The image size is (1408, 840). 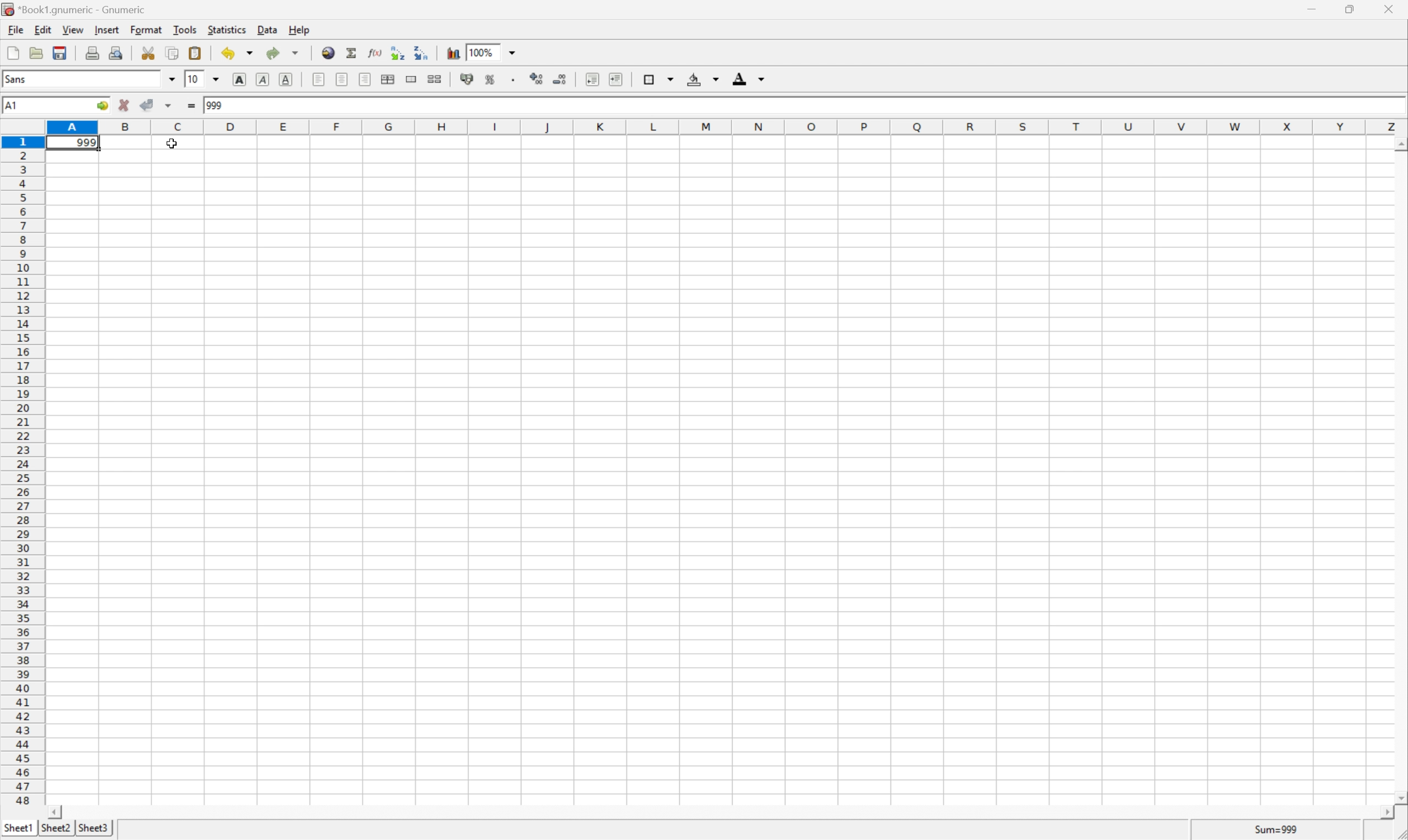 I want to click on Sort the selected region in ascending order based on the first column selected, so click(x=398, y=52).